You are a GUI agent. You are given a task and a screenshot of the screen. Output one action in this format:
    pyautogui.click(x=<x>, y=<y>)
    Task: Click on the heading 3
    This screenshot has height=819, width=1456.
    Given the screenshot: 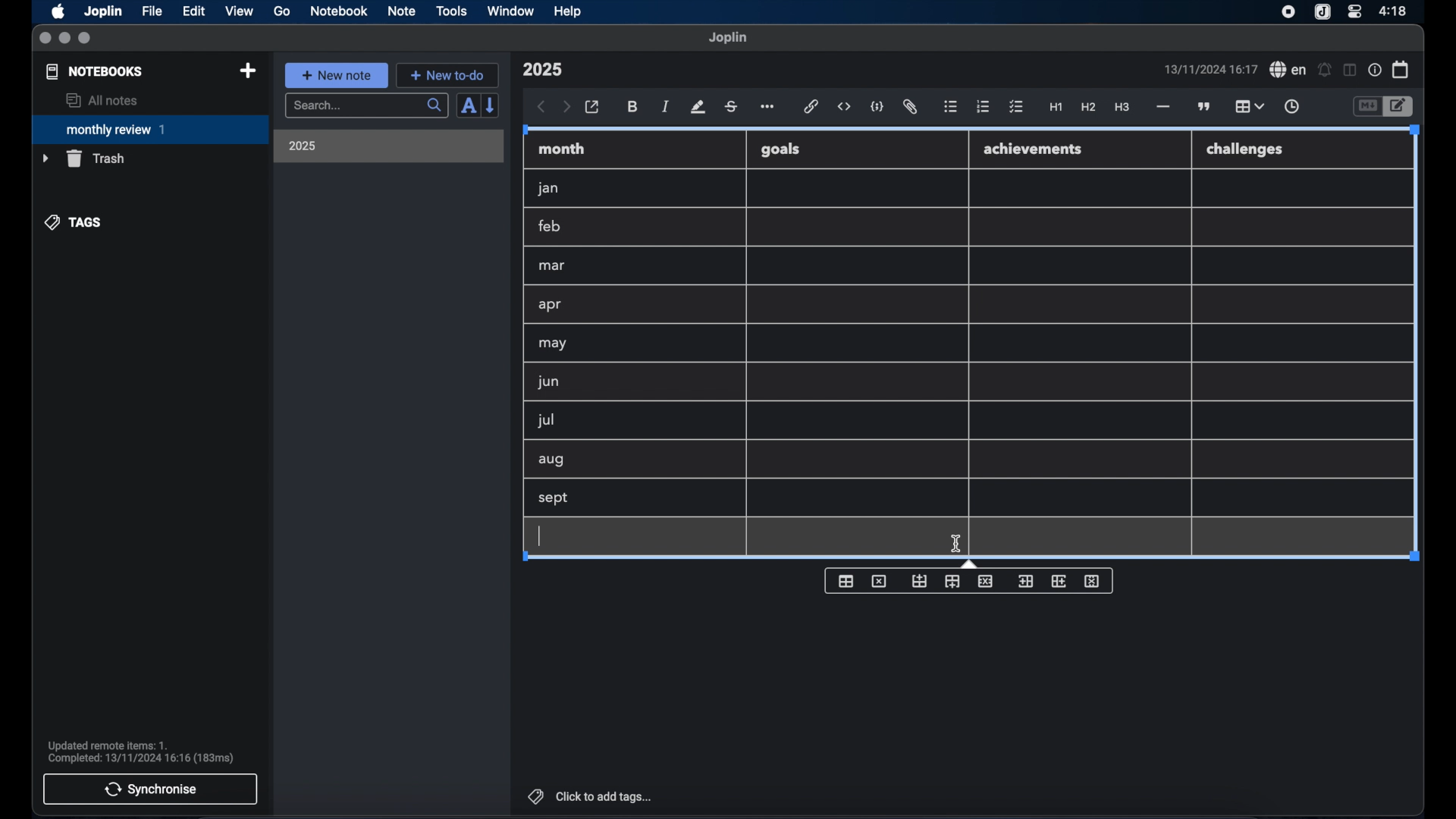 What is the action you would take?
    pyautogui.click(x=1122, y=108)
    